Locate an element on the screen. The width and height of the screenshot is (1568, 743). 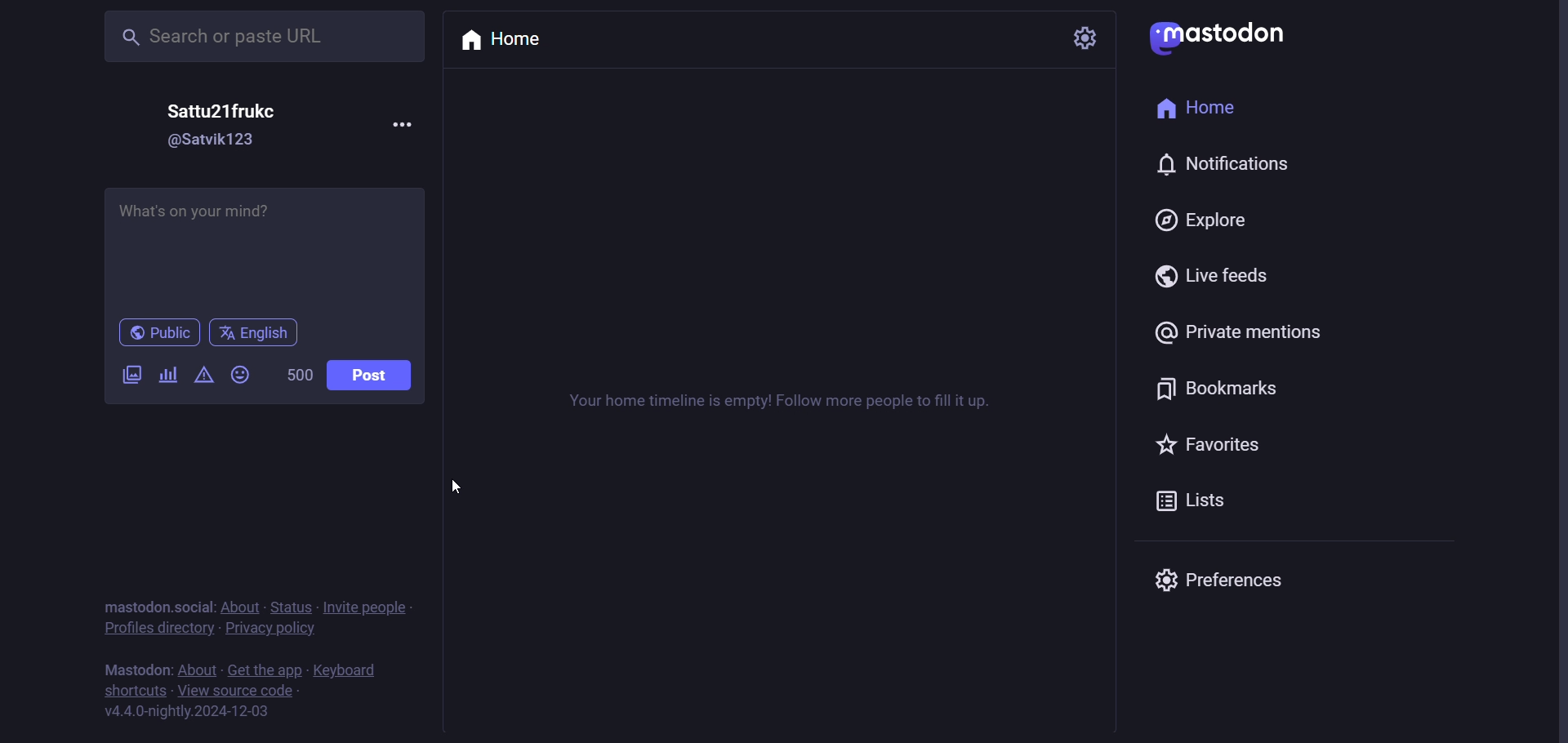
status is located at coordinates (291, 608).